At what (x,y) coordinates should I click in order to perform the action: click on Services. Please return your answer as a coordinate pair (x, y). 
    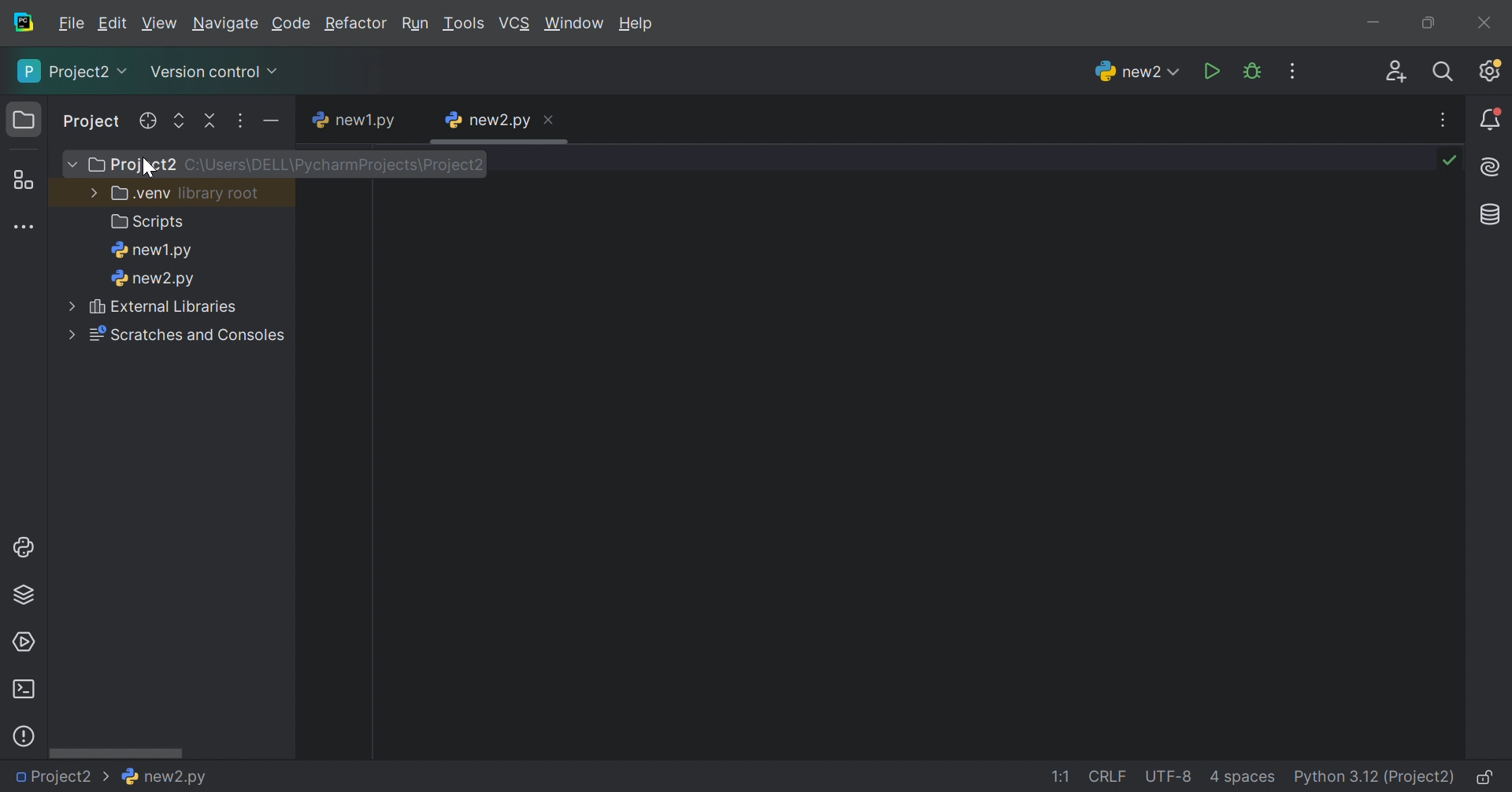
    Looking at the image, I should click on (24, 641).